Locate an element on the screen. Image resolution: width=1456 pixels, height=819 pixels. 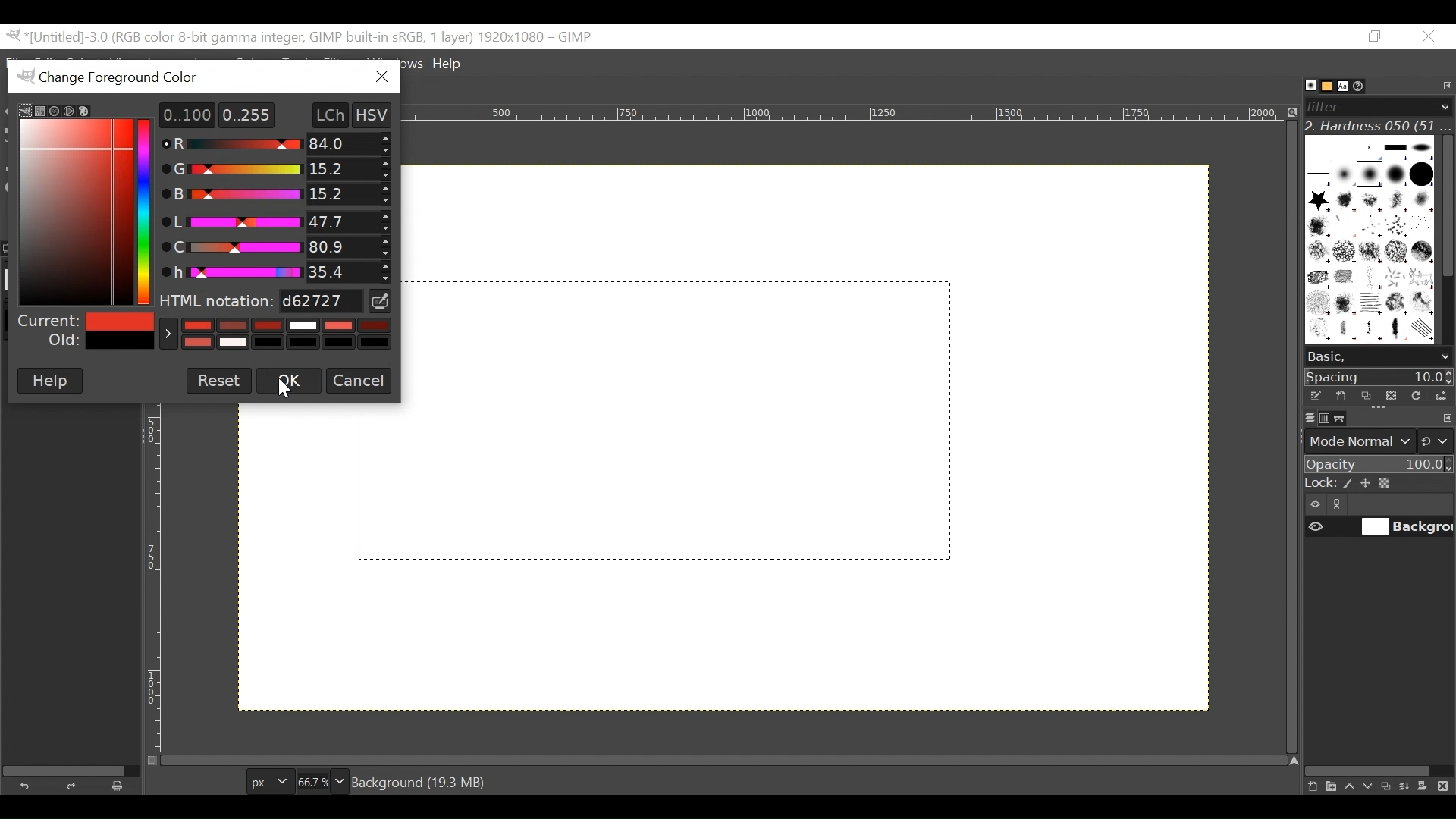
Layers is located at coordinates (1301, 417).